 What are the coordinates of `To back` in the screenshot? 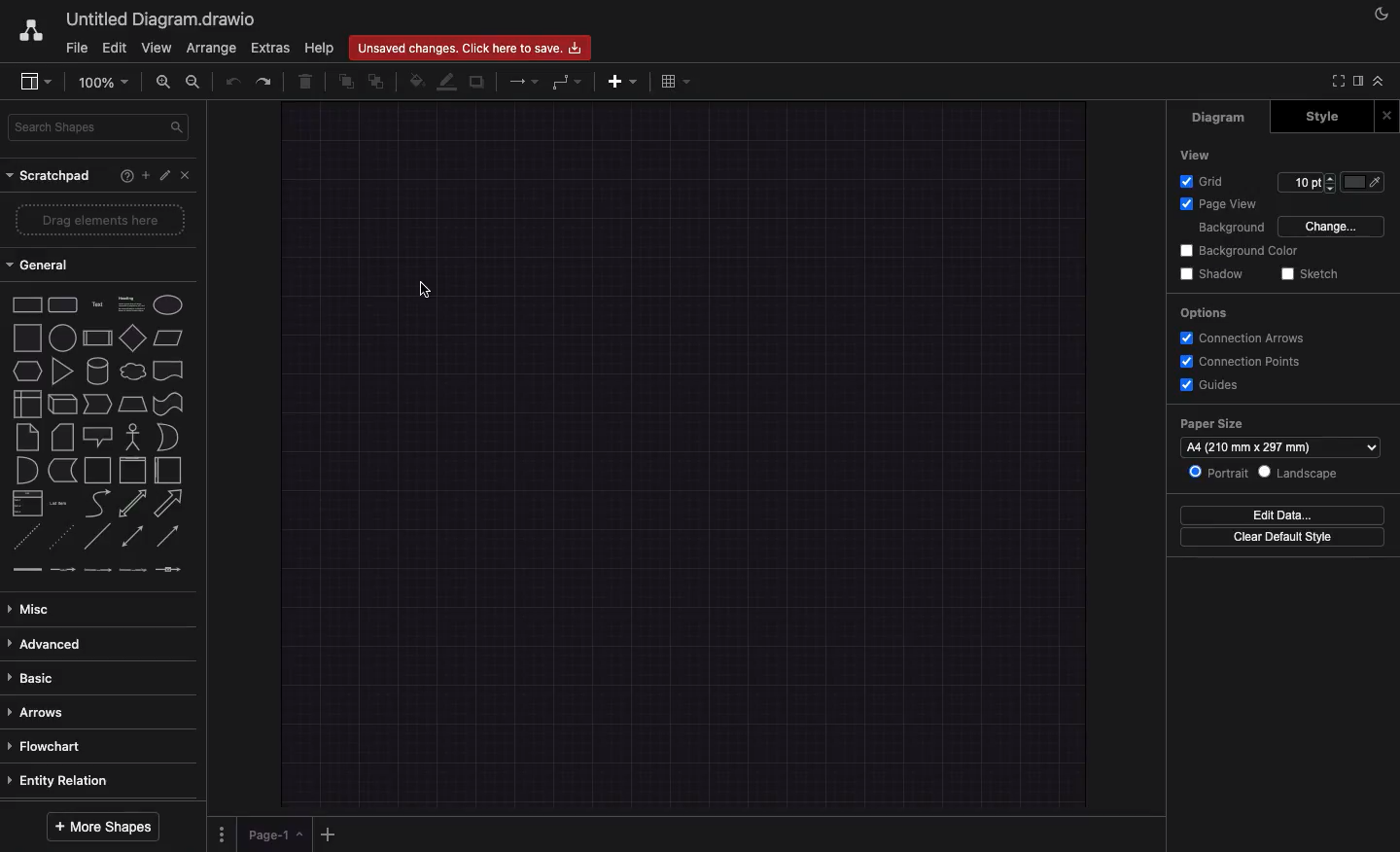 It's located at (380, 80).